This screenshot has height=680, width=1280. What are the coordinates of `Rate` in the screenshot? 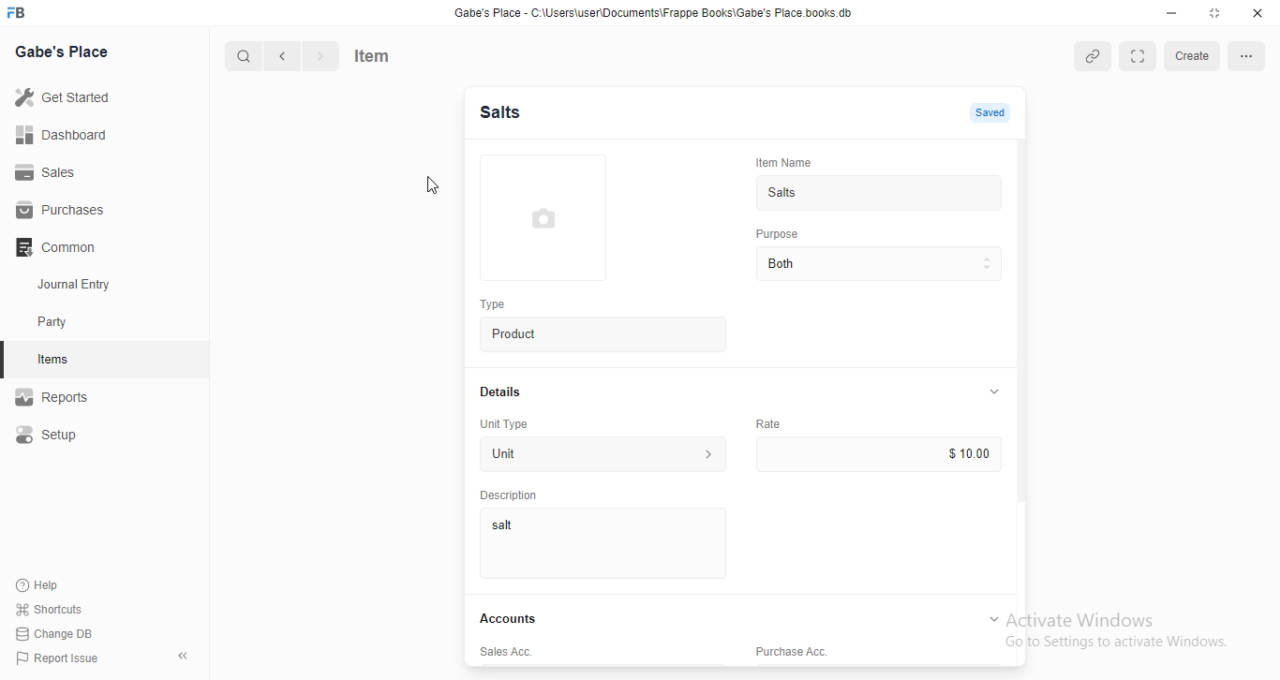 It's located at (770, 423).